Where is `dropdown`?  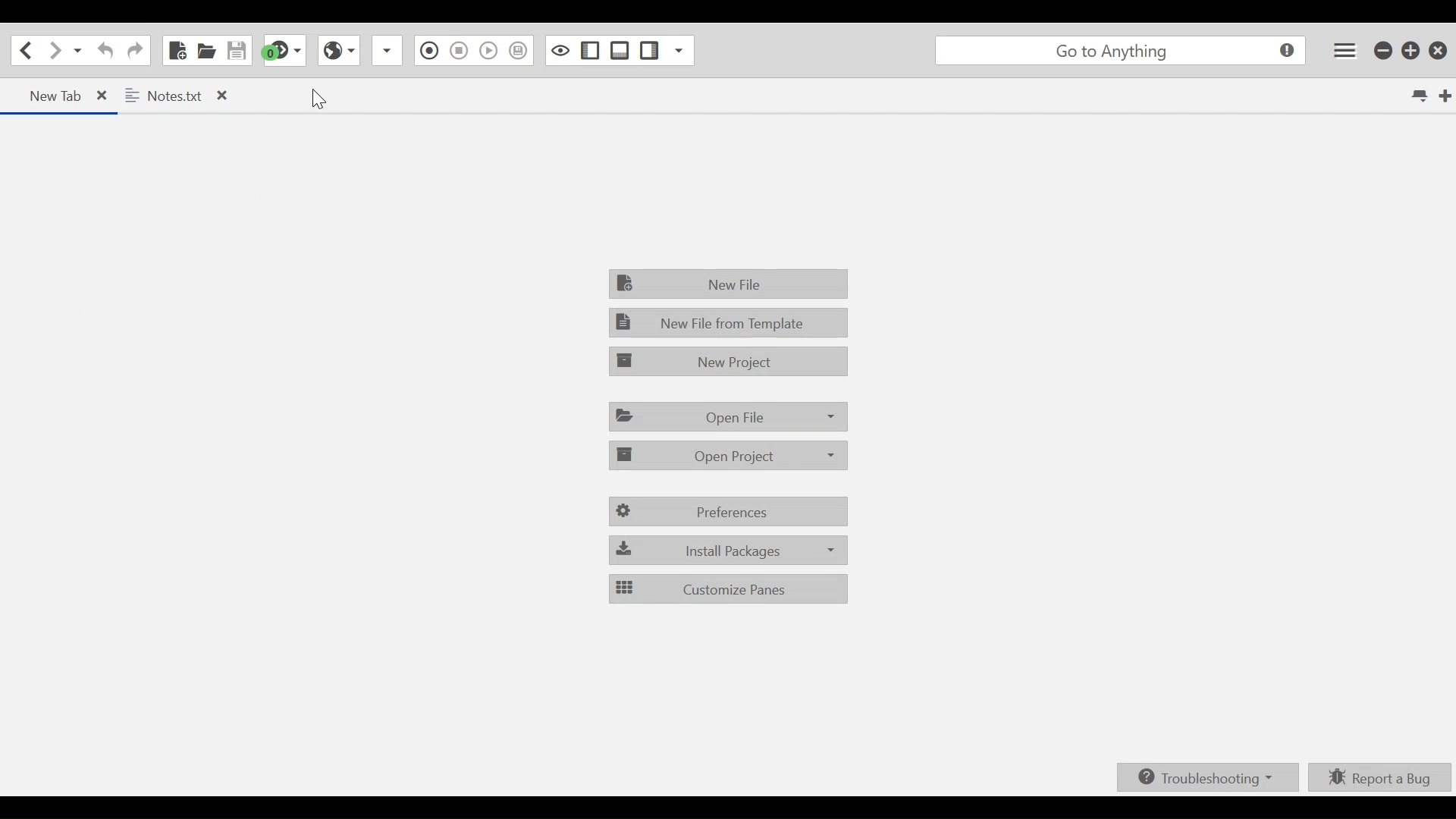 dropdown is located at coordinates (385, 52).